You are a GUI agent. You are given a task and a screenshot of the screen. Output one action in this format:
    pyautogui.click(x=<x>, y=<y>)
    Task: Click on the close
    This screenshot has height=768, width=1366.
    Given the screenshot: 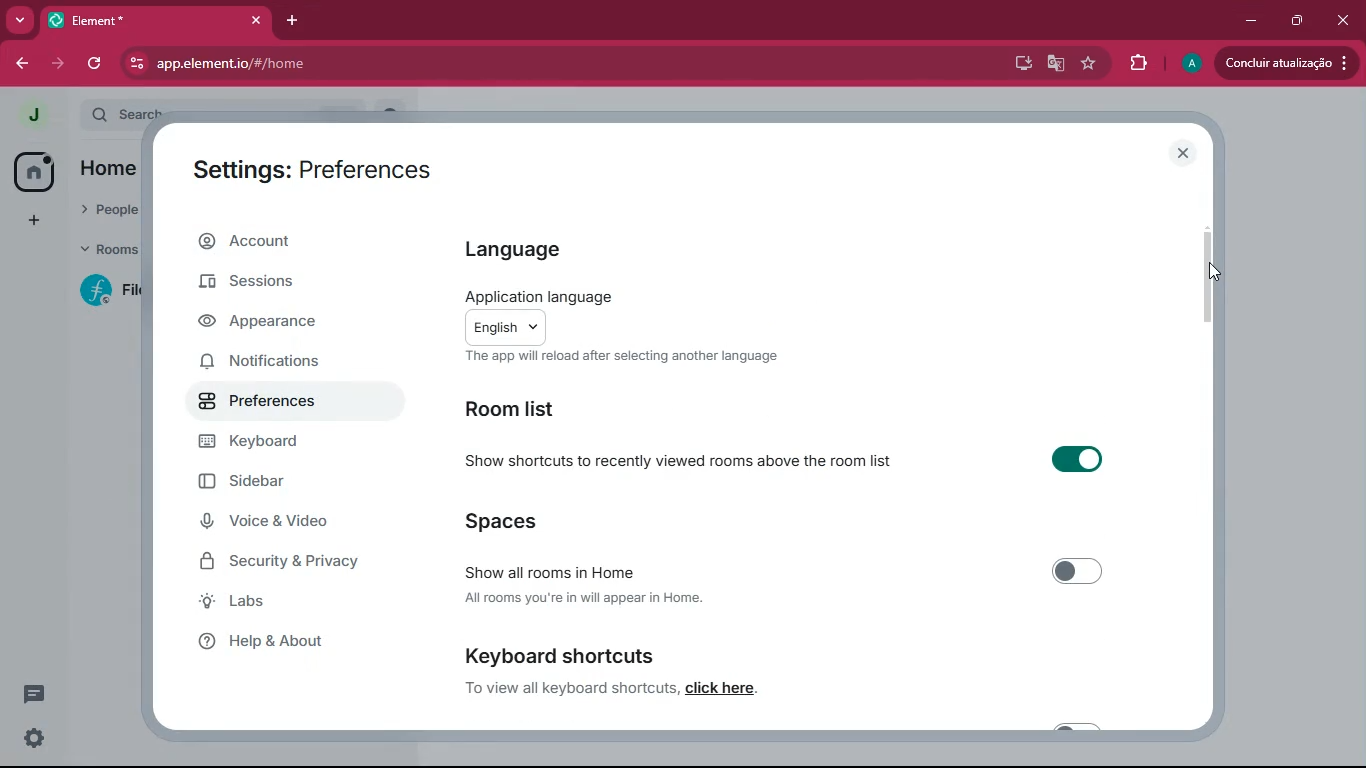 What is the action you would take?
    pyautogui.click(x=1343, y=19)
    